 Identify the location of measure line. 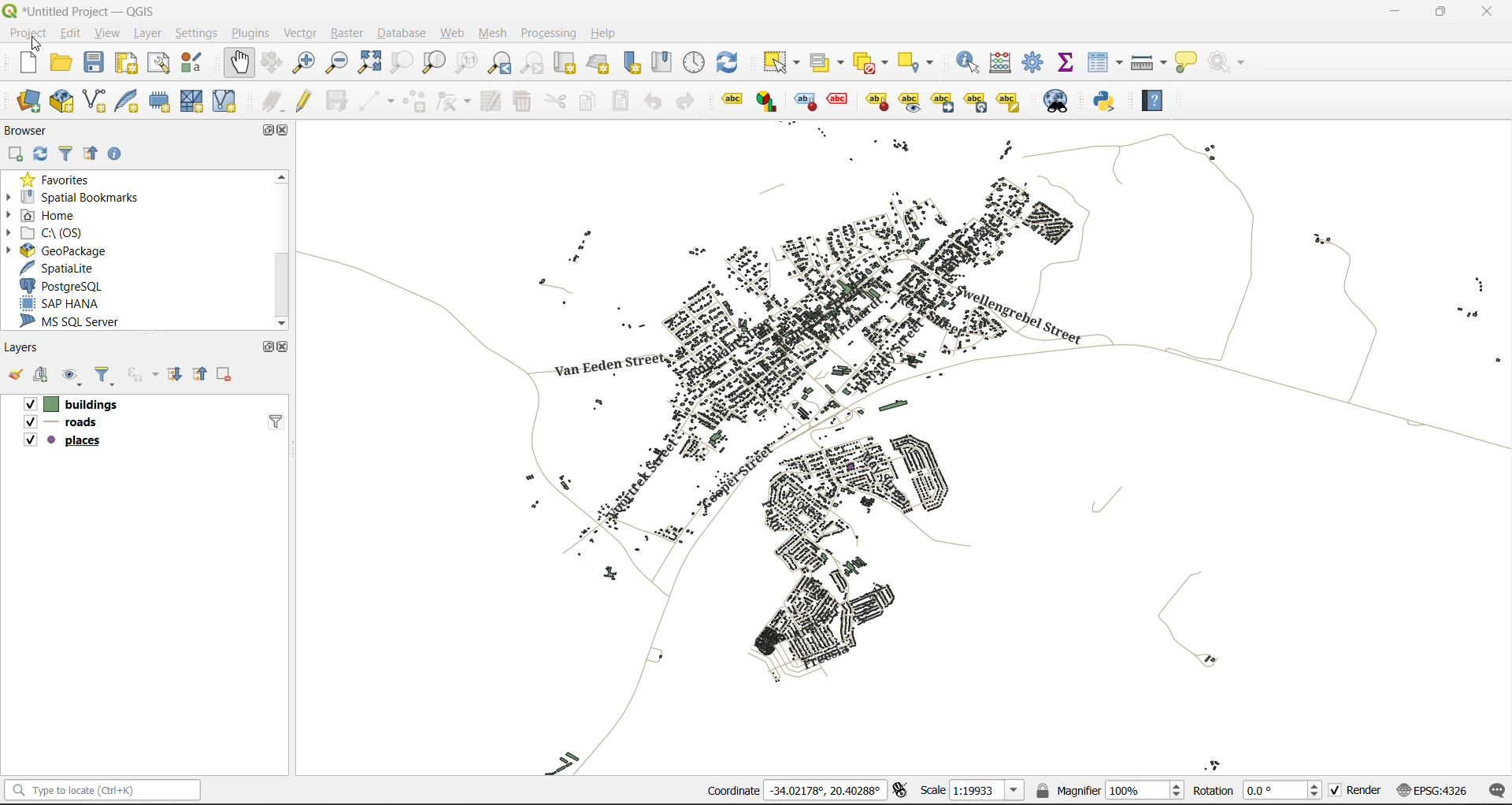
(1149, 61).